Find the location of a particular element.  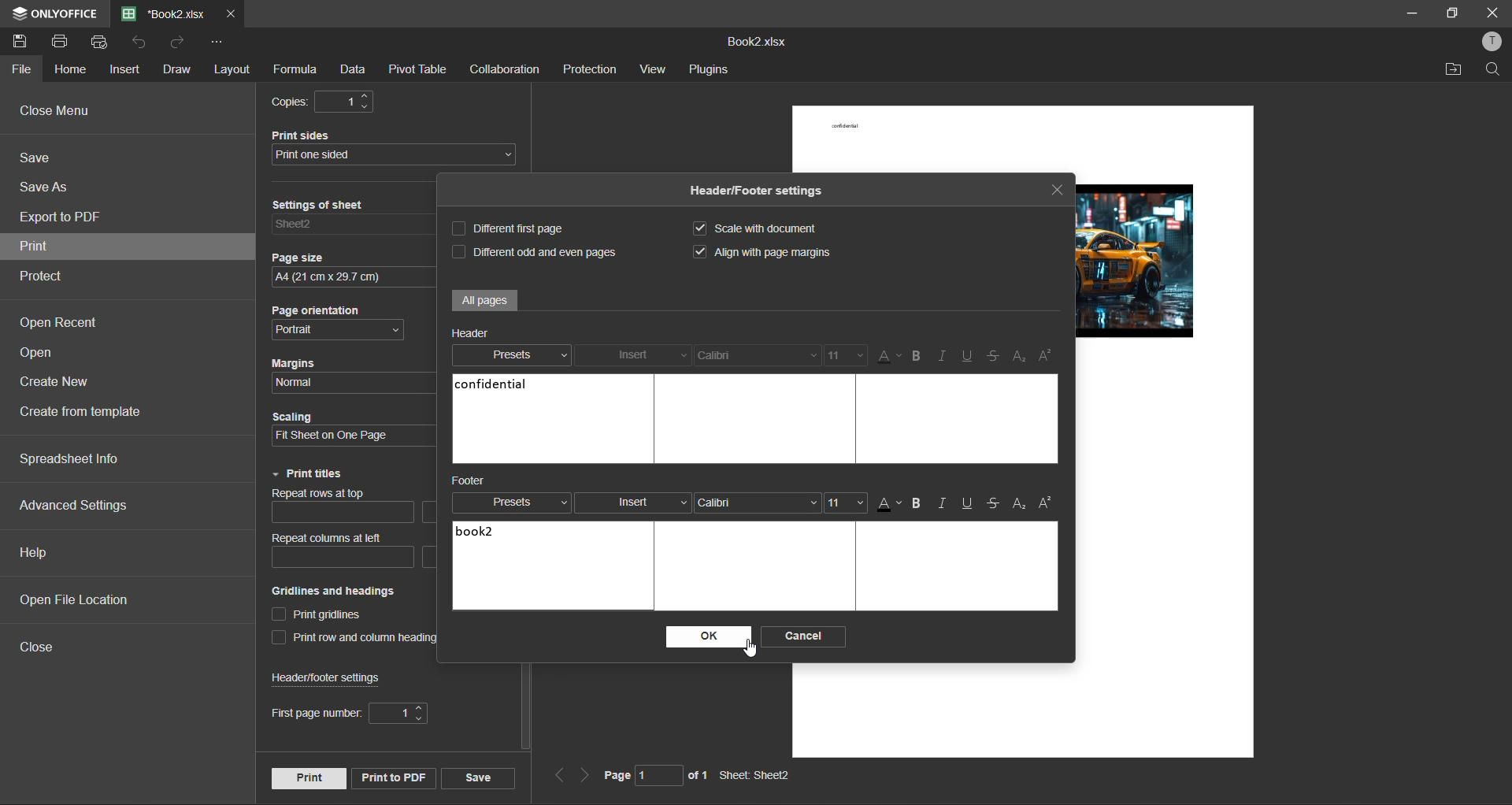

close tab is located at coordinates (1055, 193).